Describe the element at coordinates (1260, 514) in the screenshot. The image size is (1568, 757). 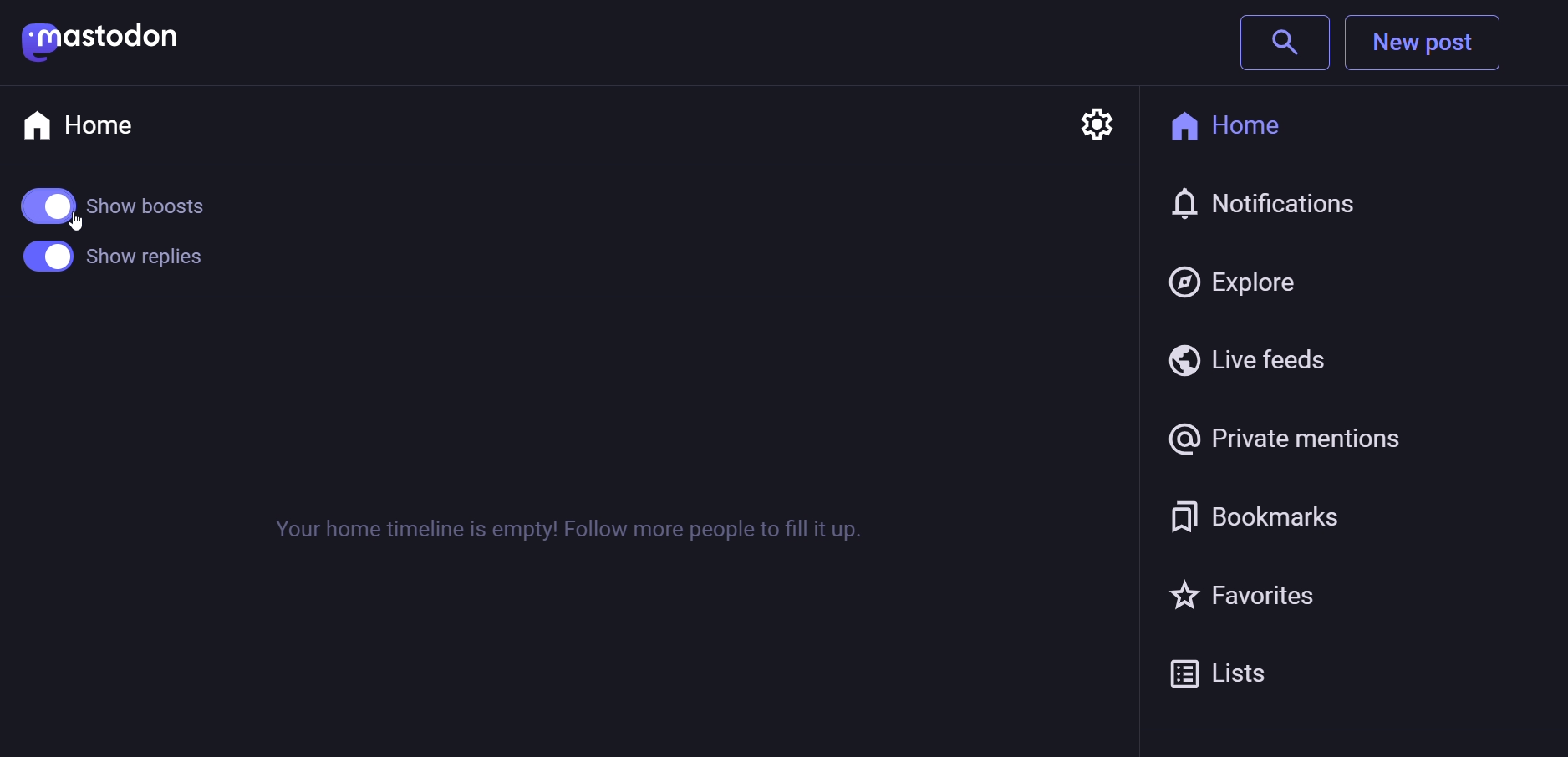
I see `bookmark` at that location.